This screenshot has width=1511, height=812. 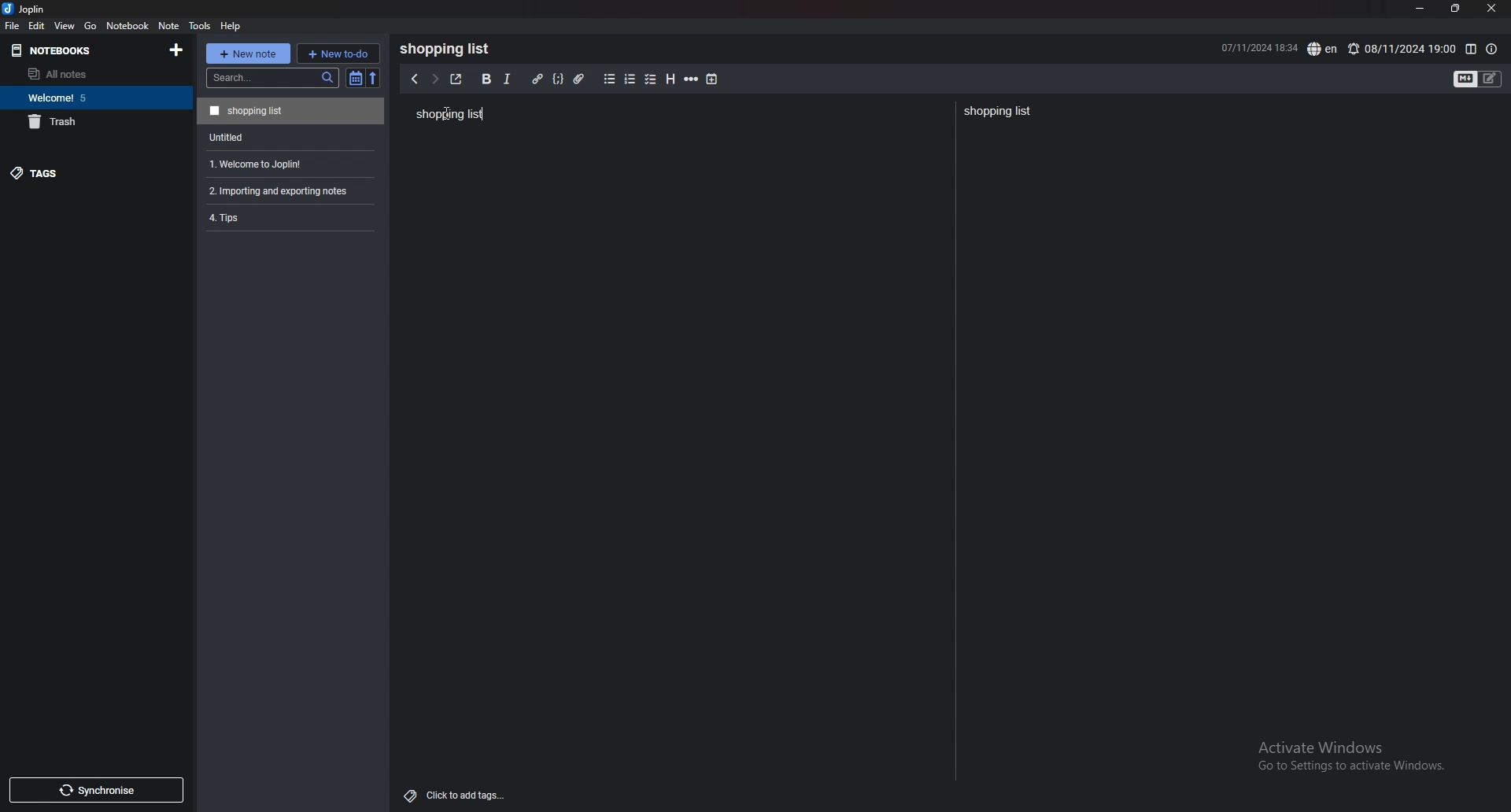 What do you see at coordinates (1471, 50) in the screenshot?
I see `toggle editor layout` at bounding box center [1471, 50].